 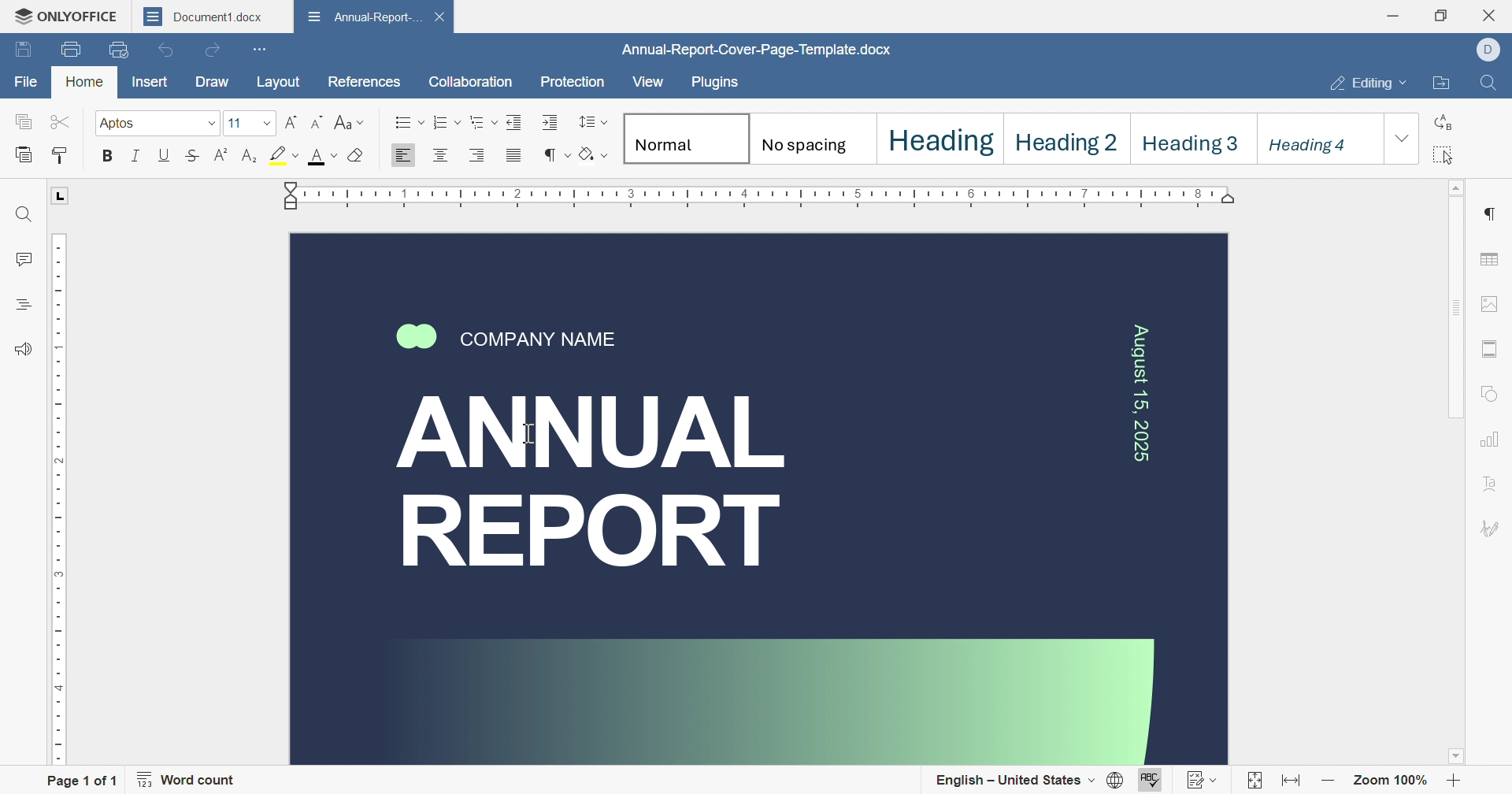 What do you see at coordinates (1253, 781) in the screenshot?
I see `fit to page` at bounding box center [1253, 781].